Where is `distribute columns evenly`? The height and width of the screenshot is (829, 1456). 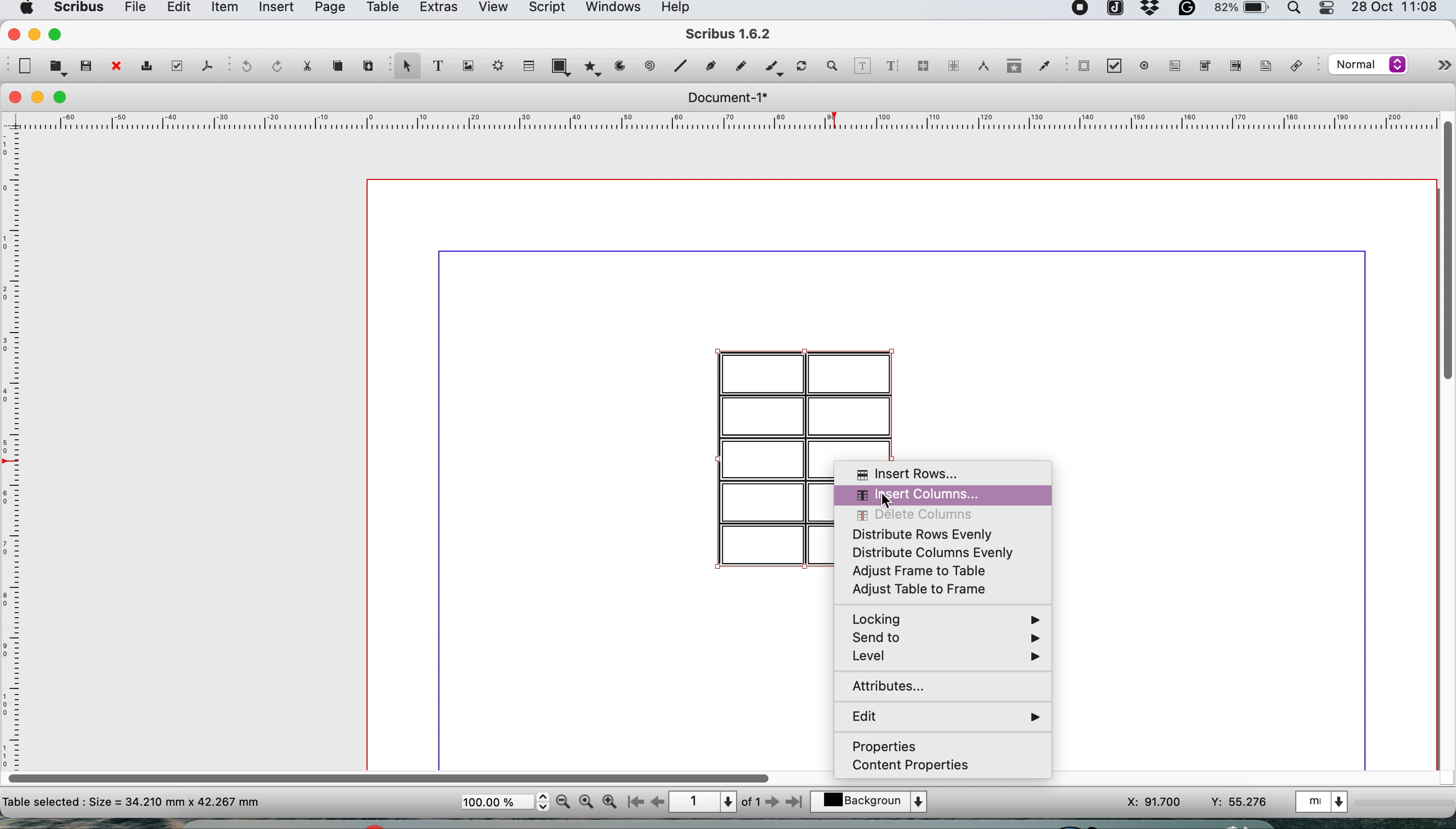
distribute columns evenly is located at coordinates (941, 554).